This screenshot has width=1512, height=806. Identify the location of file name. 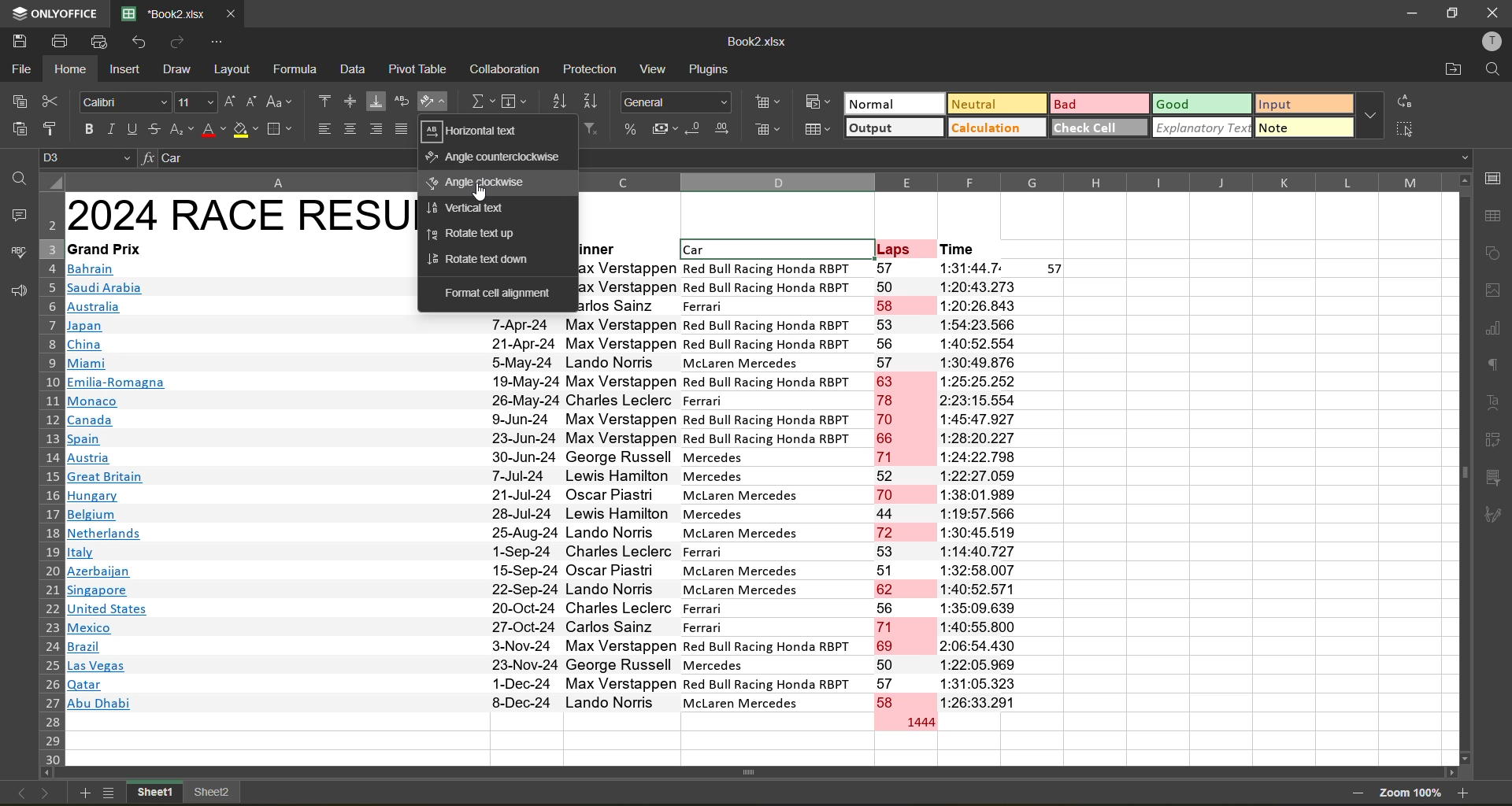
(757, 41).